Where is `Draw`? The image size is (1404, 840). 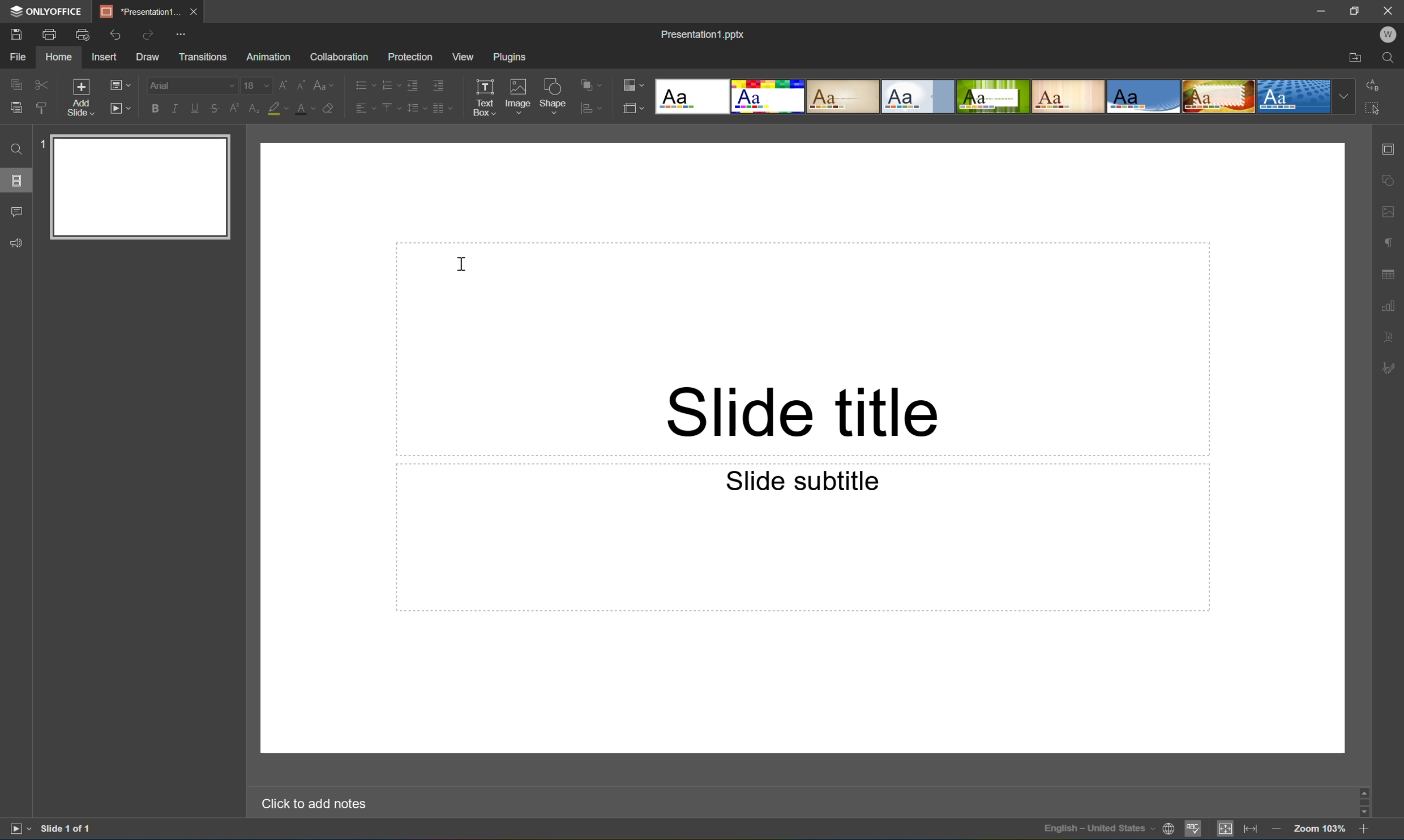 Draw is located at coordinates (148, 58).